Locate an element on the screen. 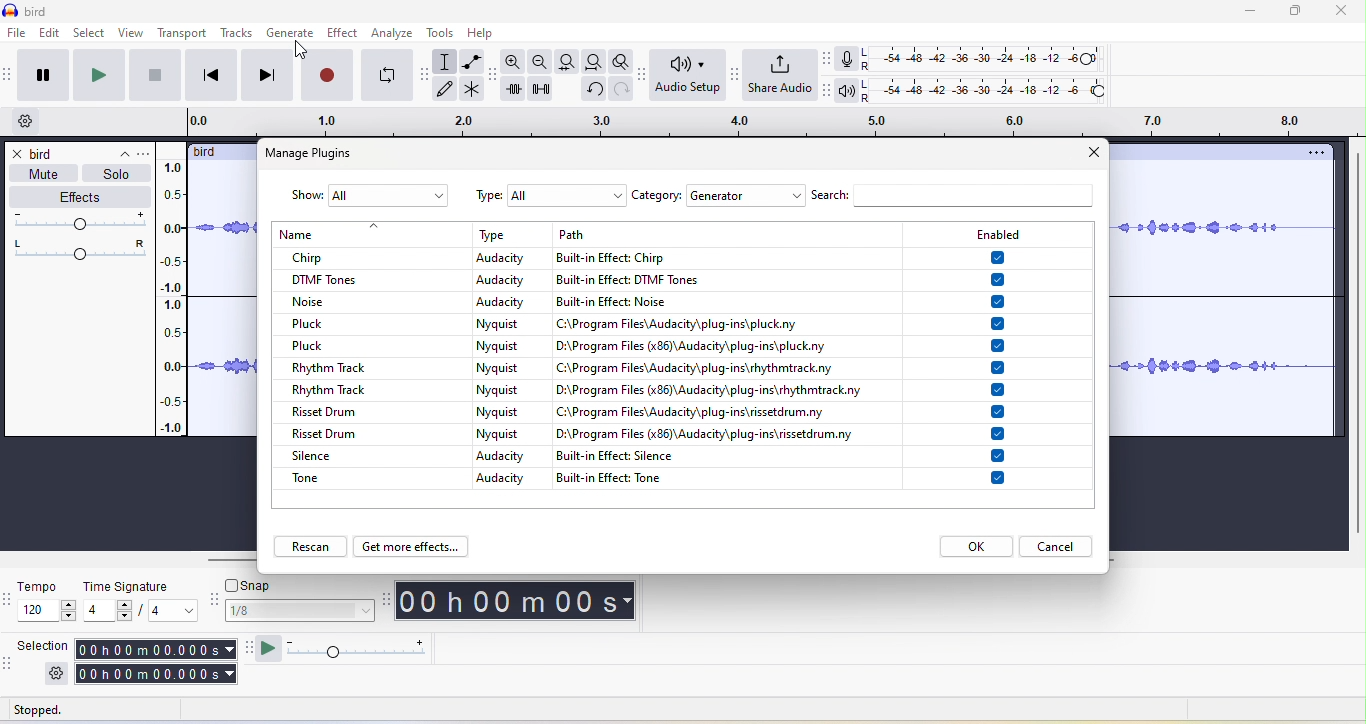 The height and width of the screenshot is (724, 1366). bird is located at coordinates (42, 153).